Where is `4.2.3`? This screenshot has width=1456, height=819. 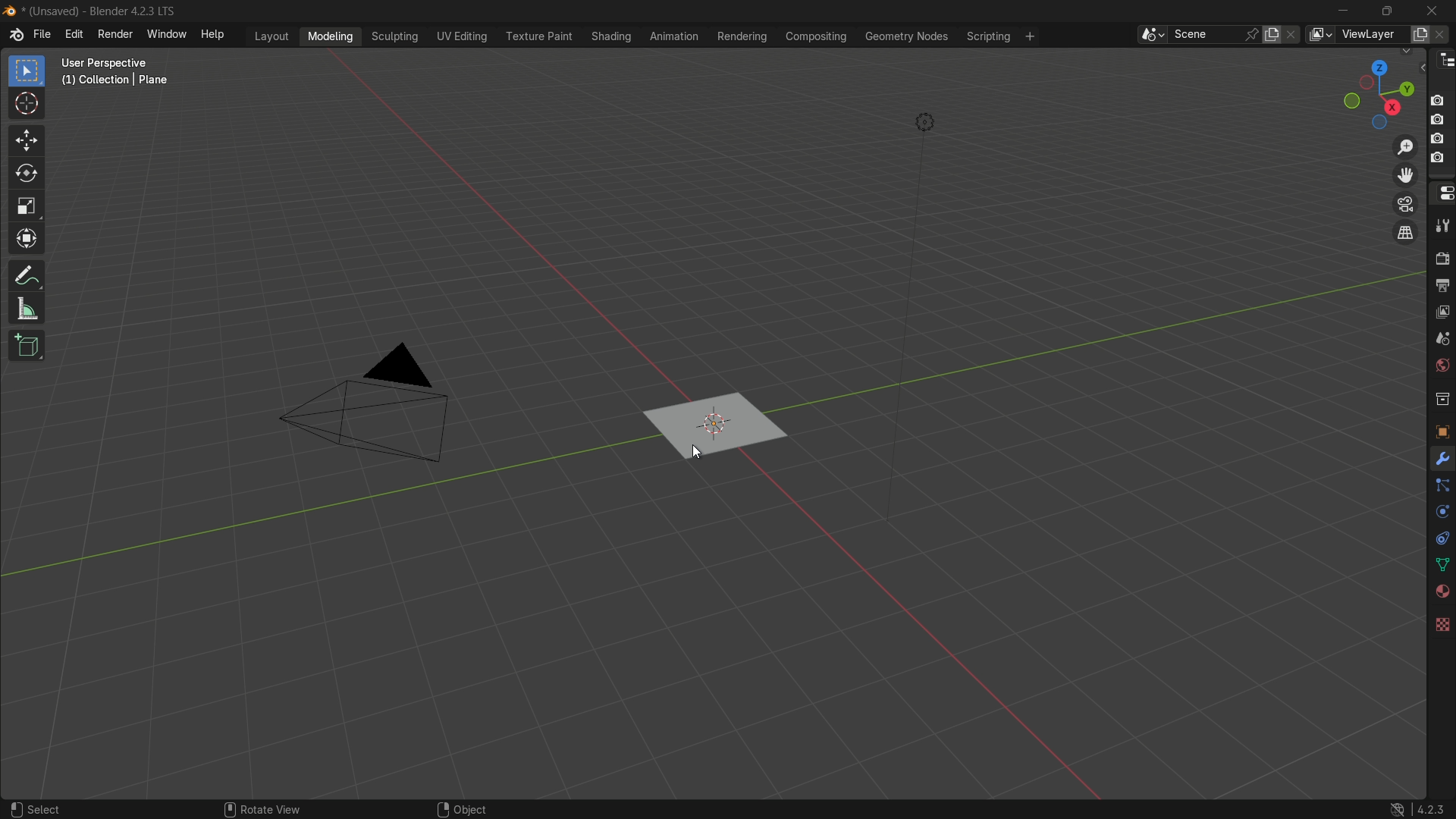 4.2.3 is located at coordinates (1414, 807).